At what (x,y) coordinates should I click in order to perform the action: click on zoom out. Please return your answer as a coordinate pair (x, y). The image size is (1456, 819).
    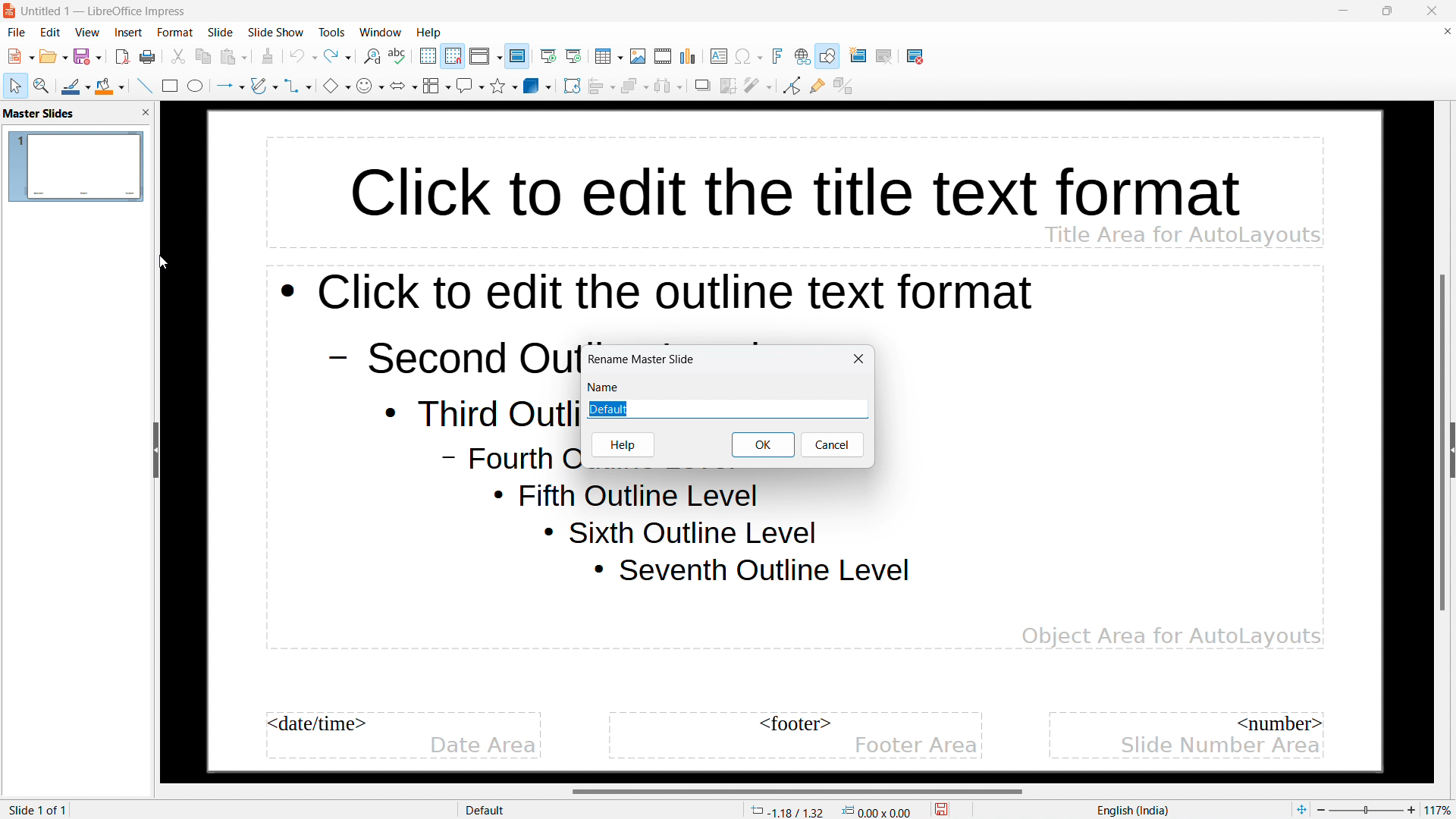
    Looking at the image, I should click on (1322, 809).